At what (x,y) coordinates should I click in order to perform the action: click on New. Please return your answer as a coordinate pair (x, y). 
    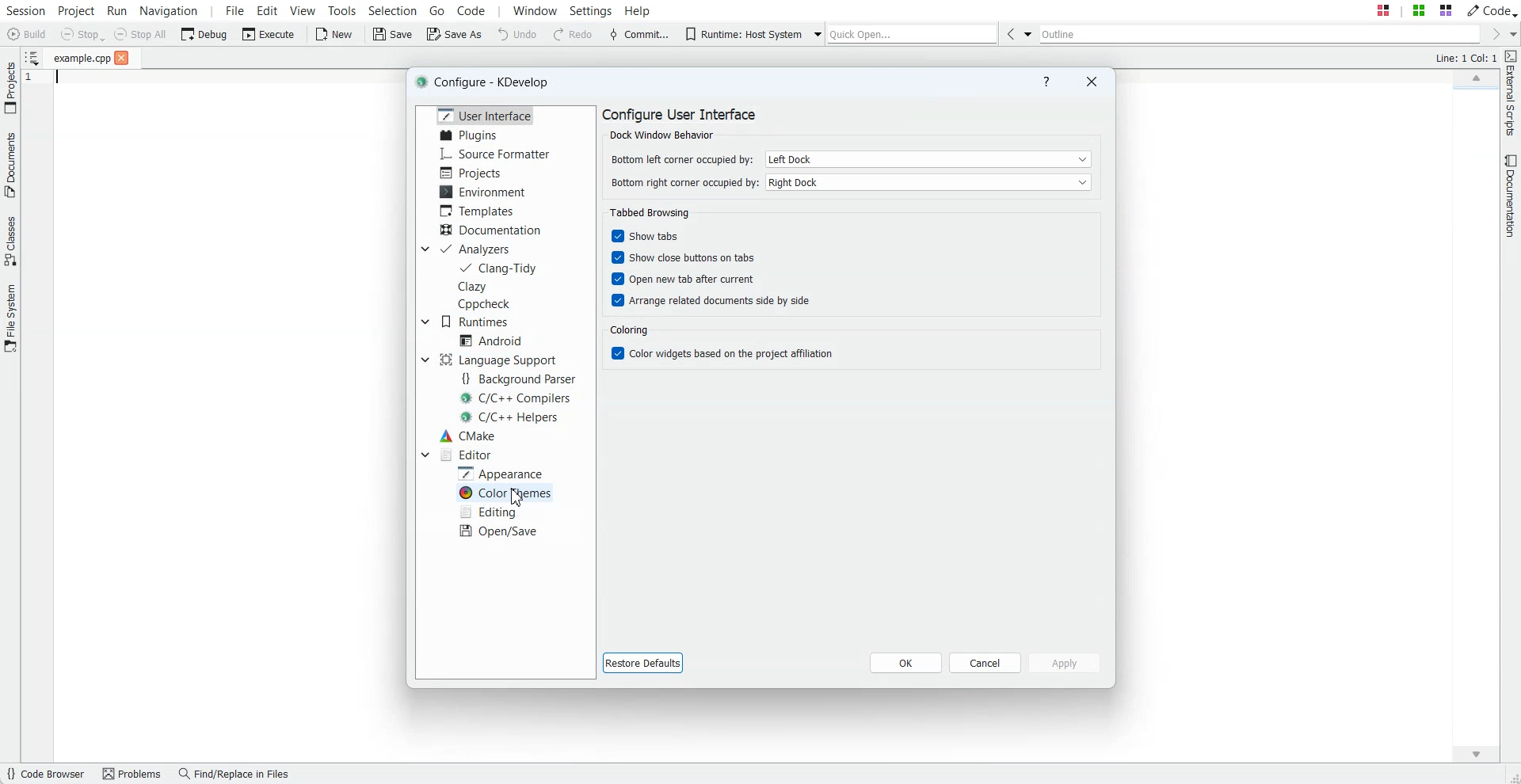
    Looking at the image, I should click on (336, 35).